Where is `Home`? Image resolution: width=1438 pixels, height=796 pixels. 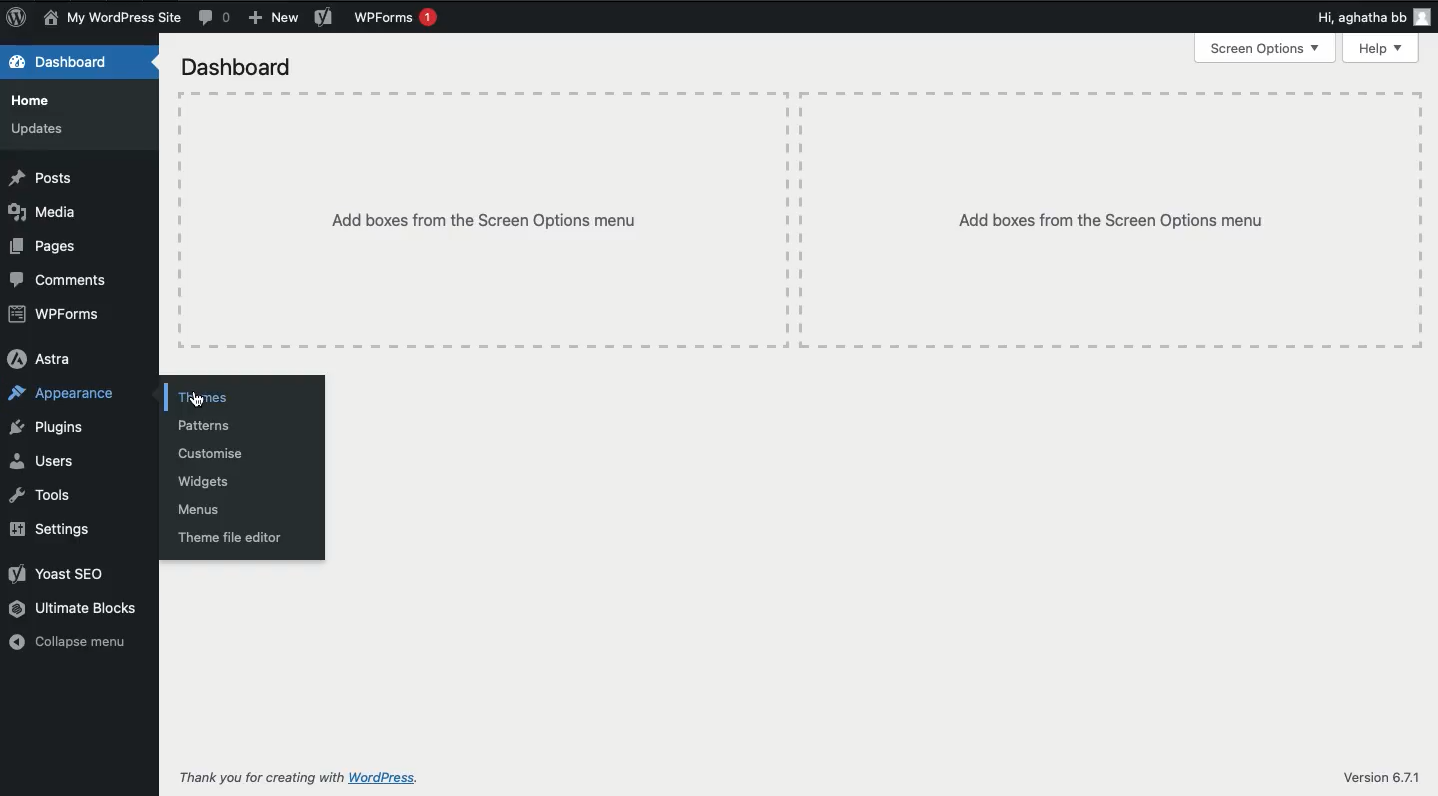 Home is located at coordinates (39, 104).